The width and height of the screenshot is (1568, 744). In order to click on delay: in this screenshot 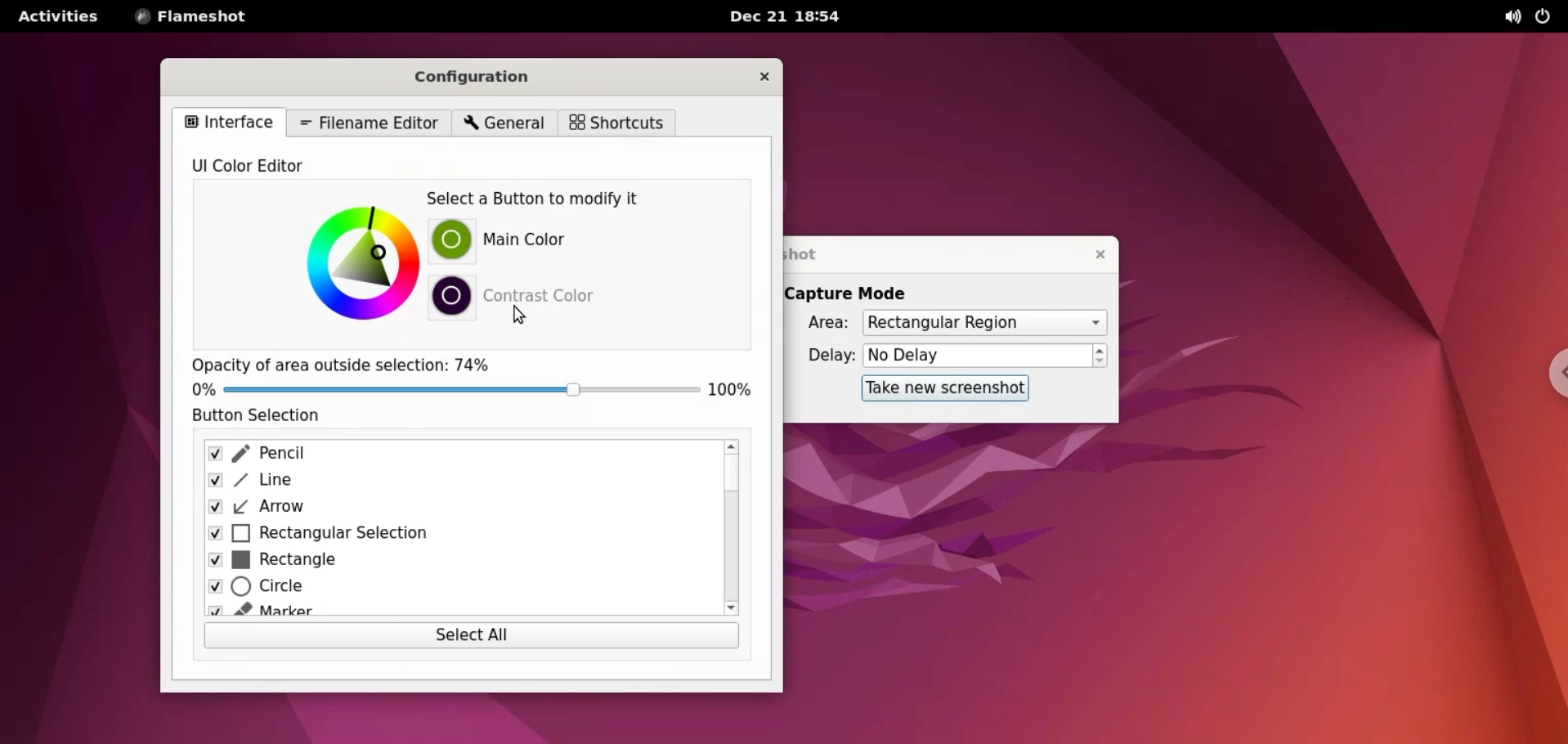, I will do `click(822, 358)`.